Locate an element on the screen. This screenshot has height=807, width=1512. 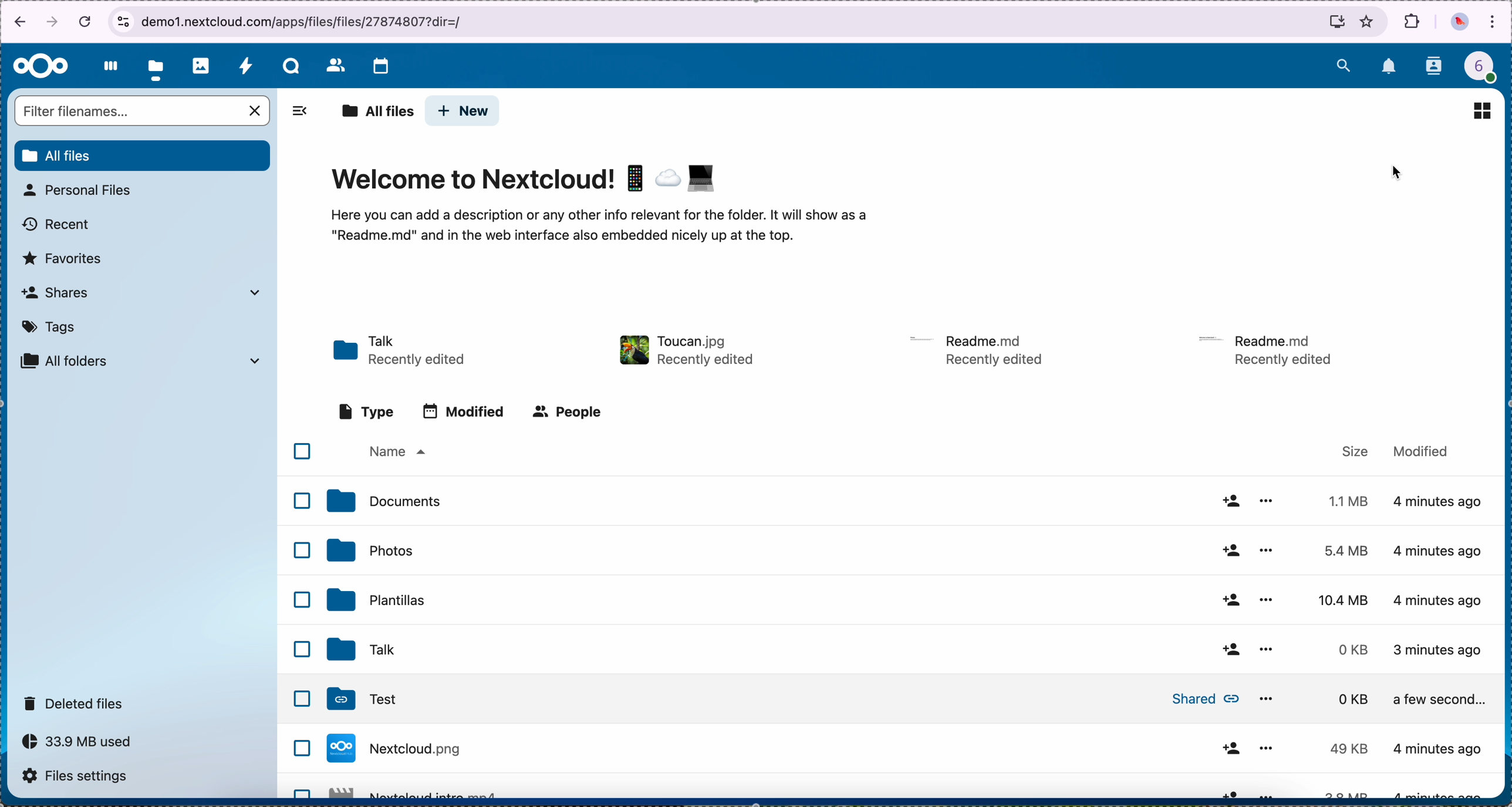
navigate foward is located at coordinates (53, 23).